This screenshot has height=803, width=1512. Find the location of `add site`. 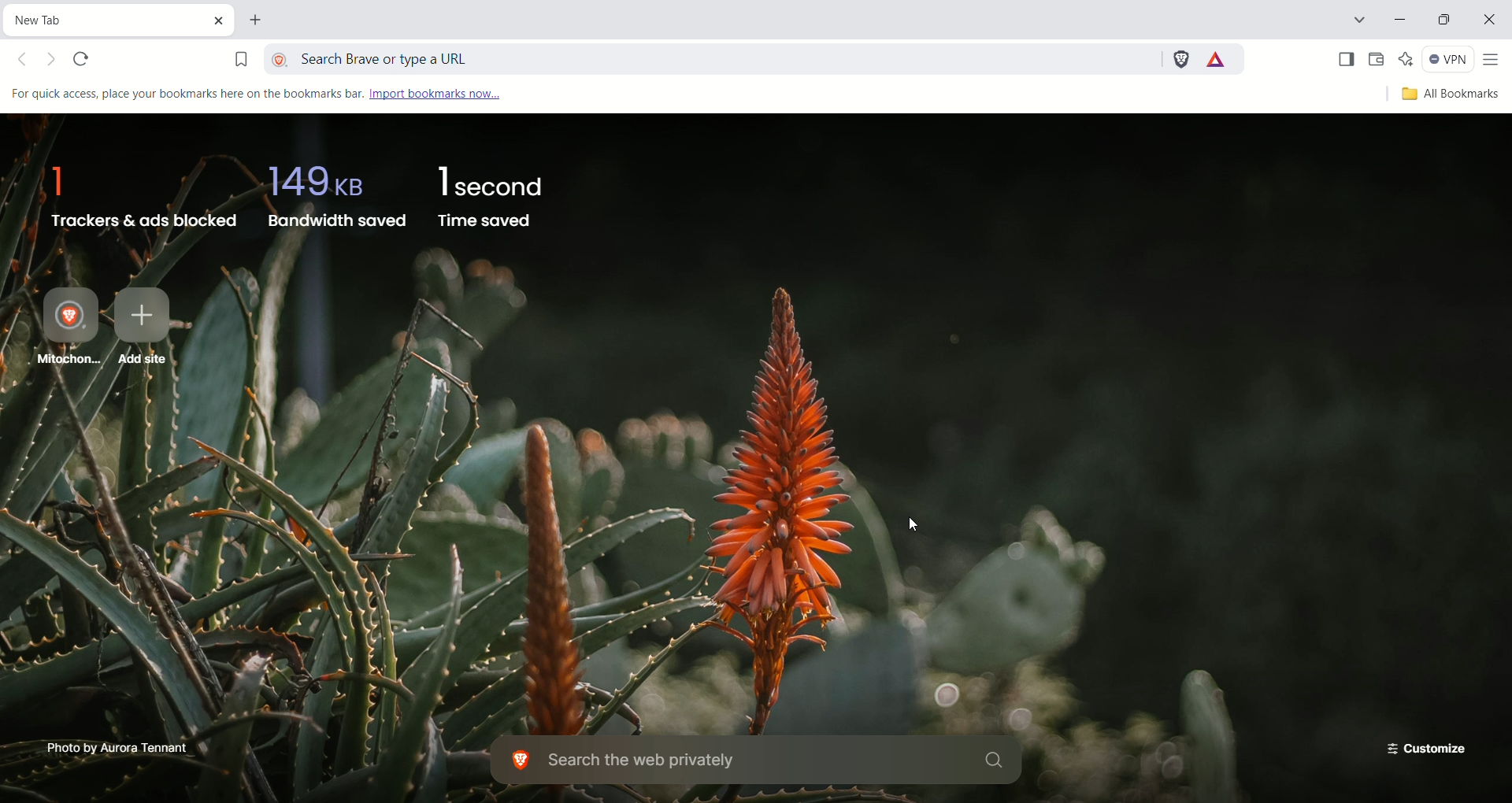

add site is located at coordinates (149, 330).